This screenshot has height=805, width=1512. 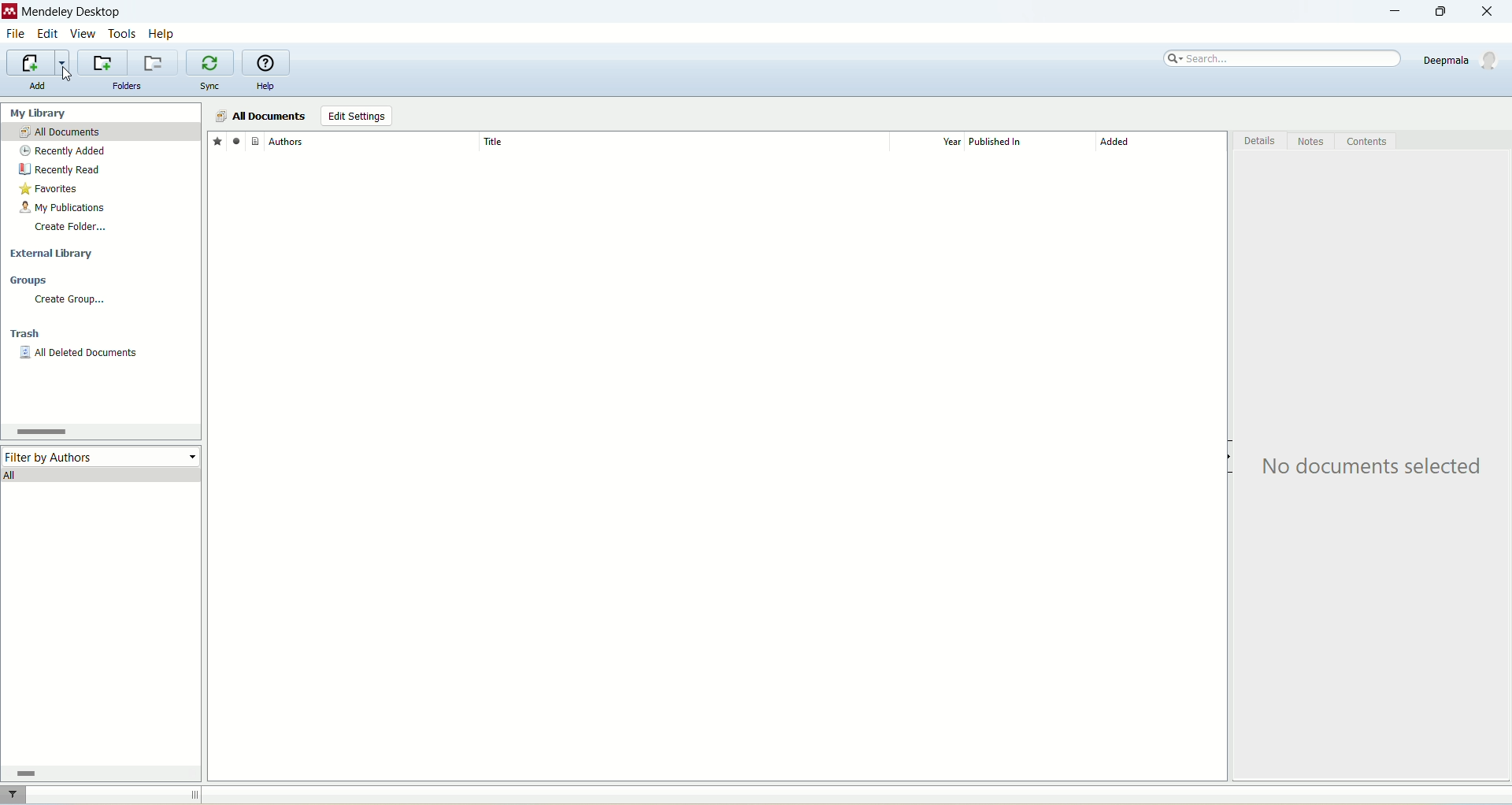 I want to click on text, so click(x=1376, y=467).